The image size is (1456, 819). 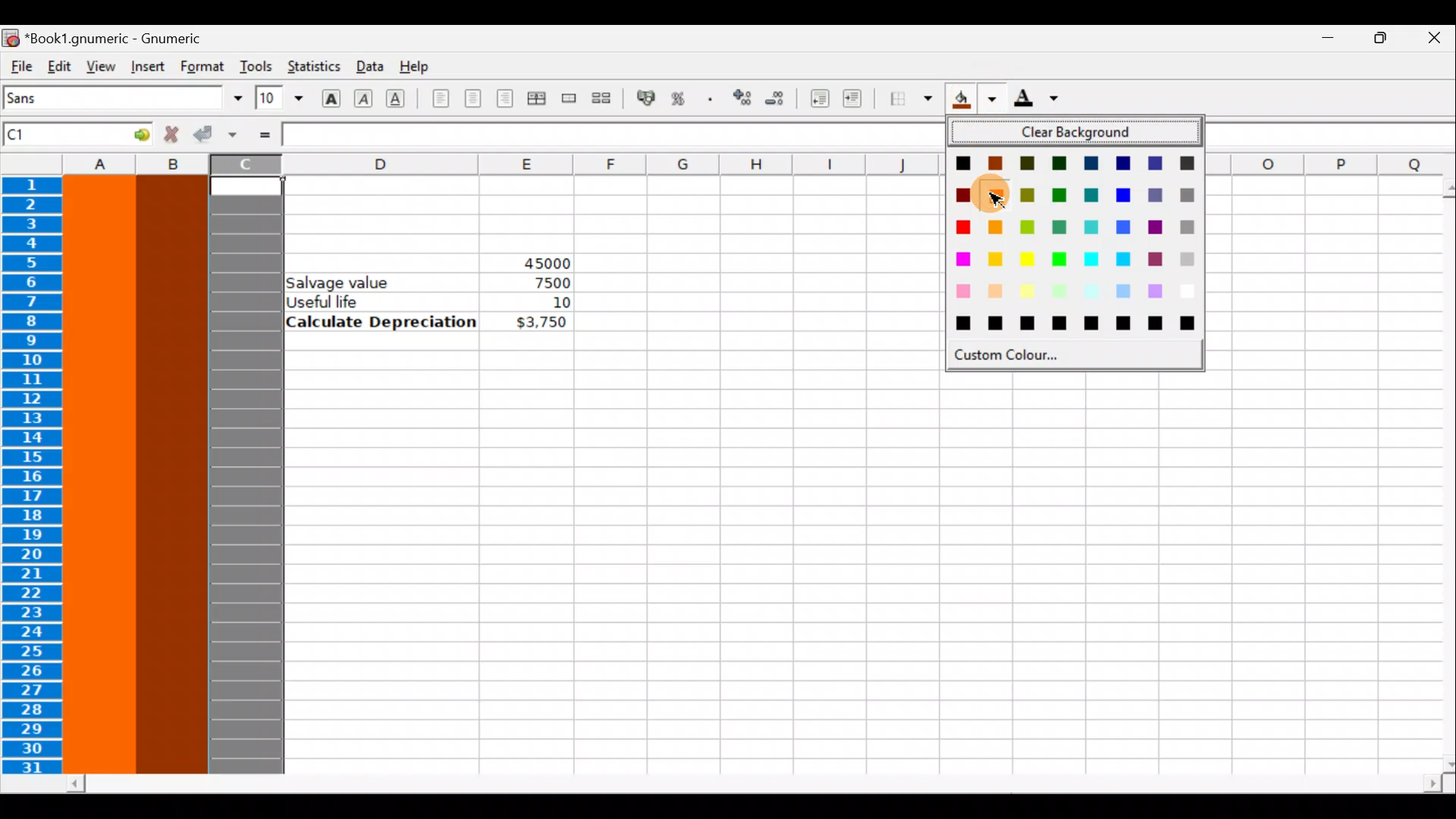 What do you see at coordinates (1320, 42) in the screenshot?
I see `Minimize` at bounding box center [1320, 42].